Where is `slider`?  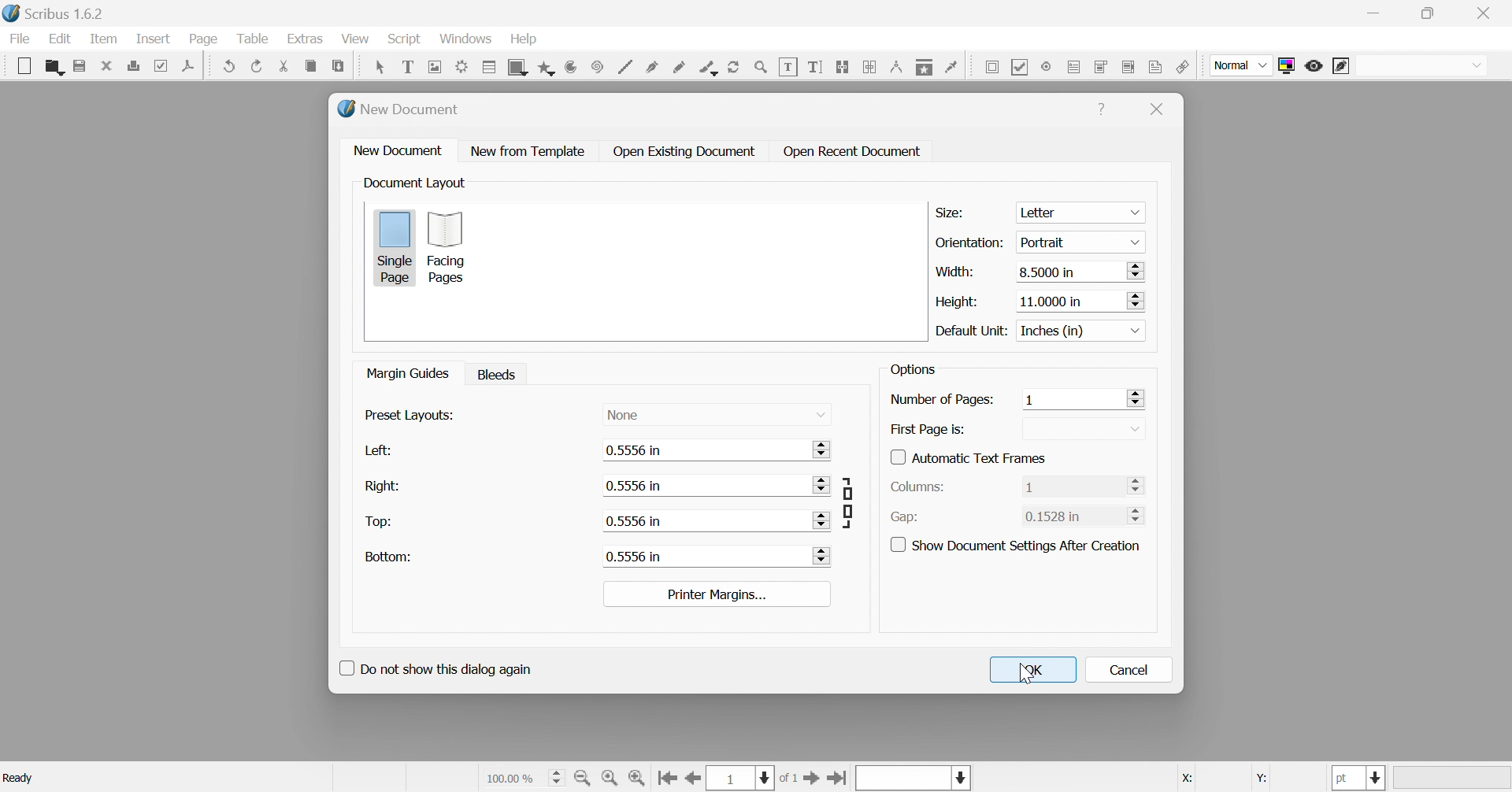 slider is located at coordinates (825, 450).